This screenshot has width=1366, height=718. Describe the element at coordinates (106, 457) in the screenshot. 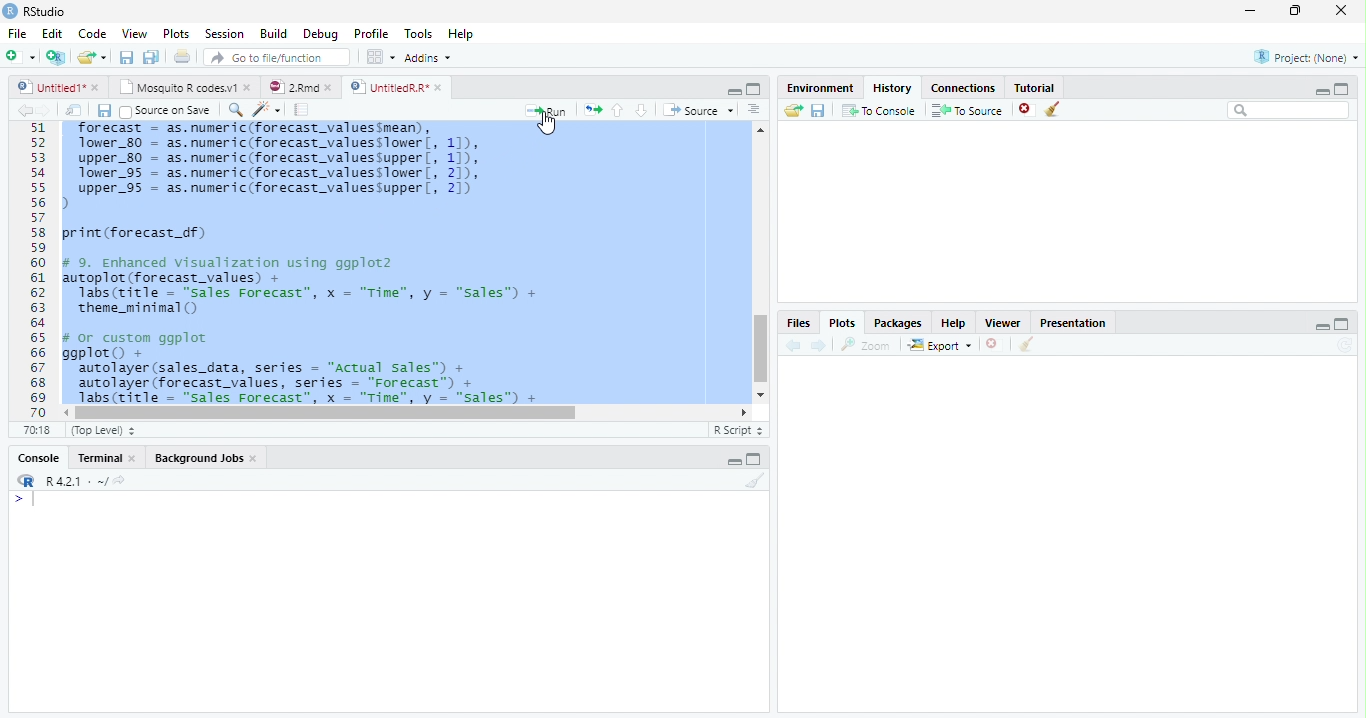

I see `Terminal` at that location.